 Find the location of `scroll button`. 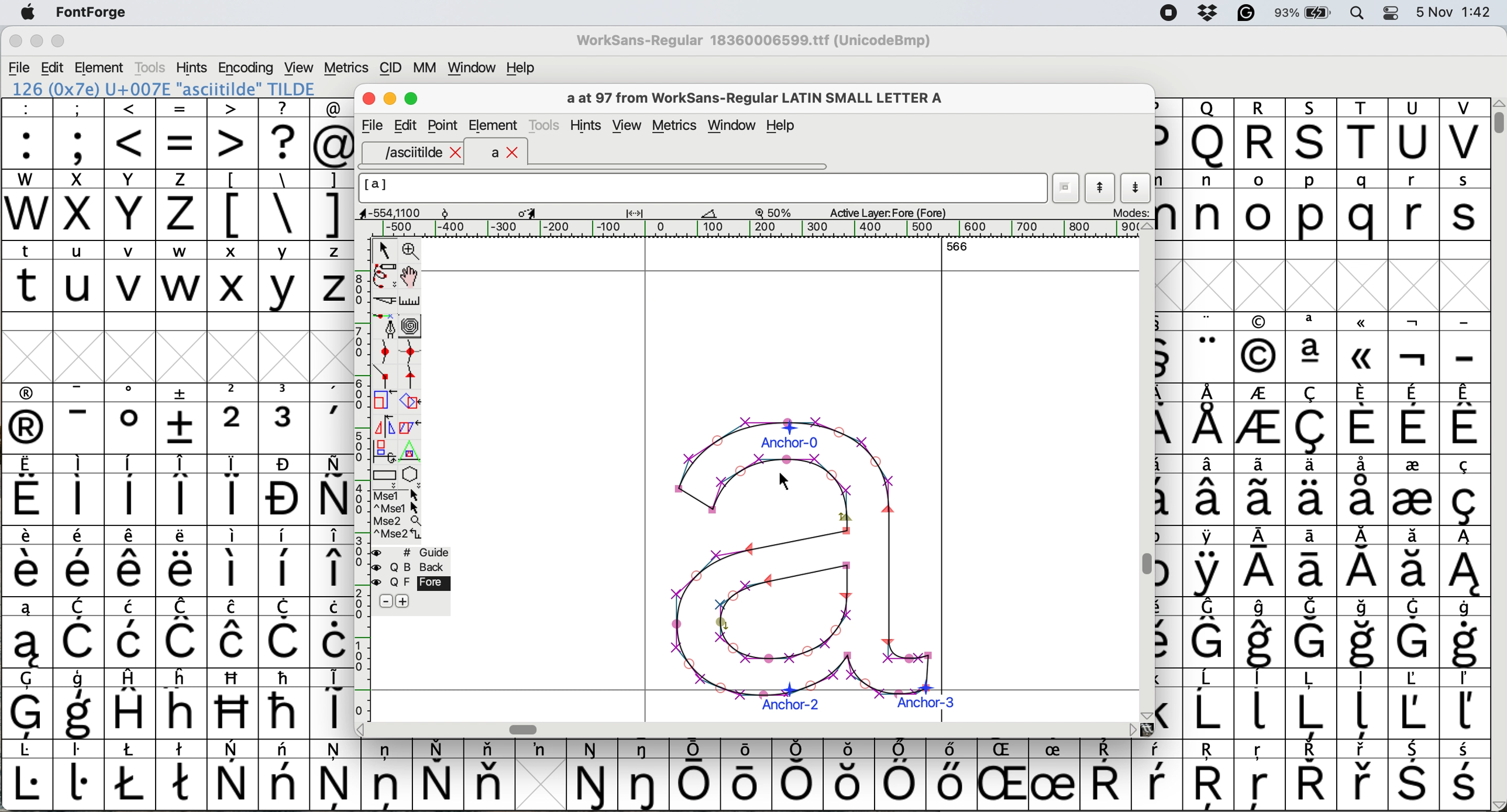

scroll button is located at coordinates (1147, 227).